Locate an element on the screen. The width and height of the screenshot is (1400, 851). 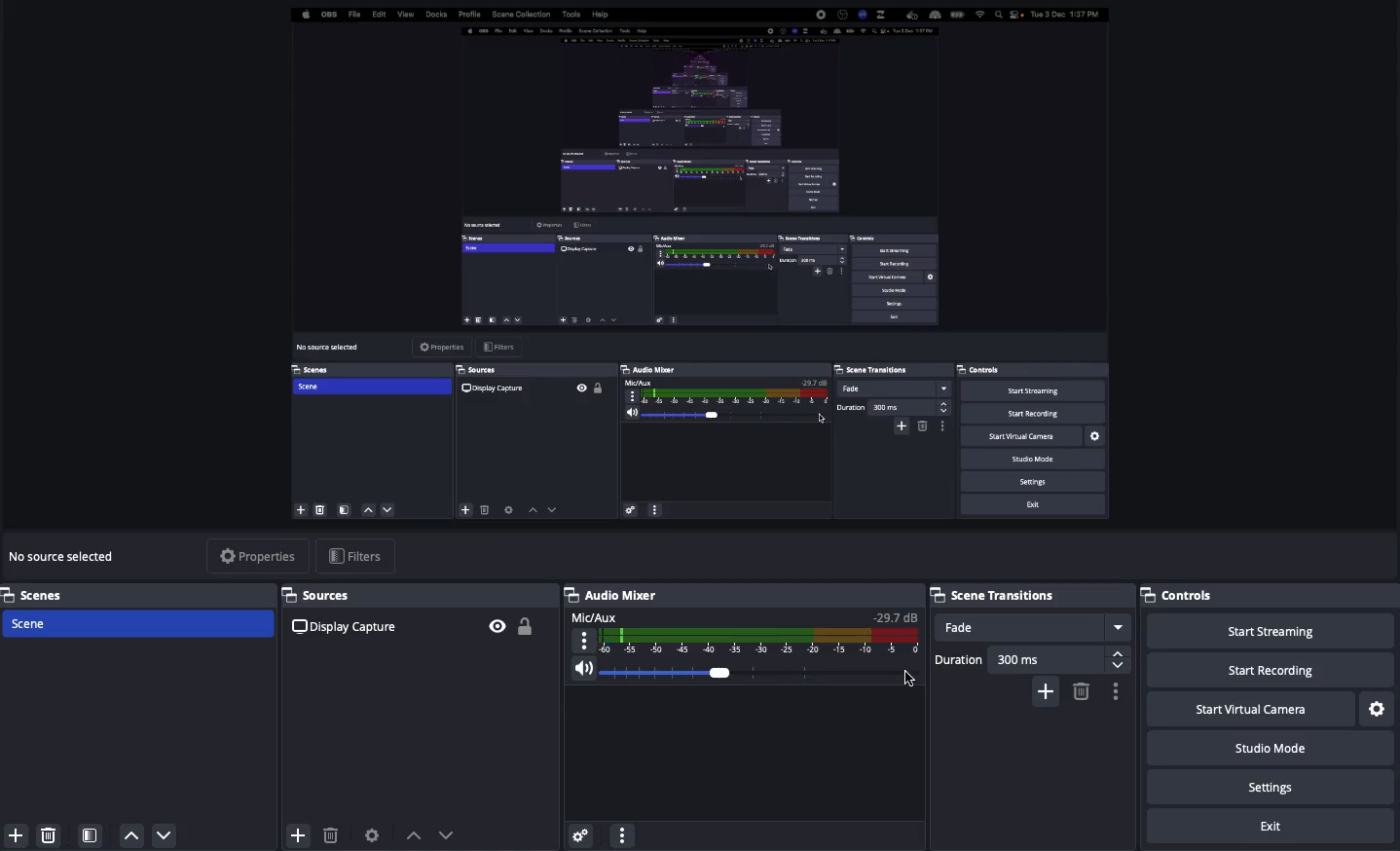
Start virtual camera is located at coordinates (1248, 710).